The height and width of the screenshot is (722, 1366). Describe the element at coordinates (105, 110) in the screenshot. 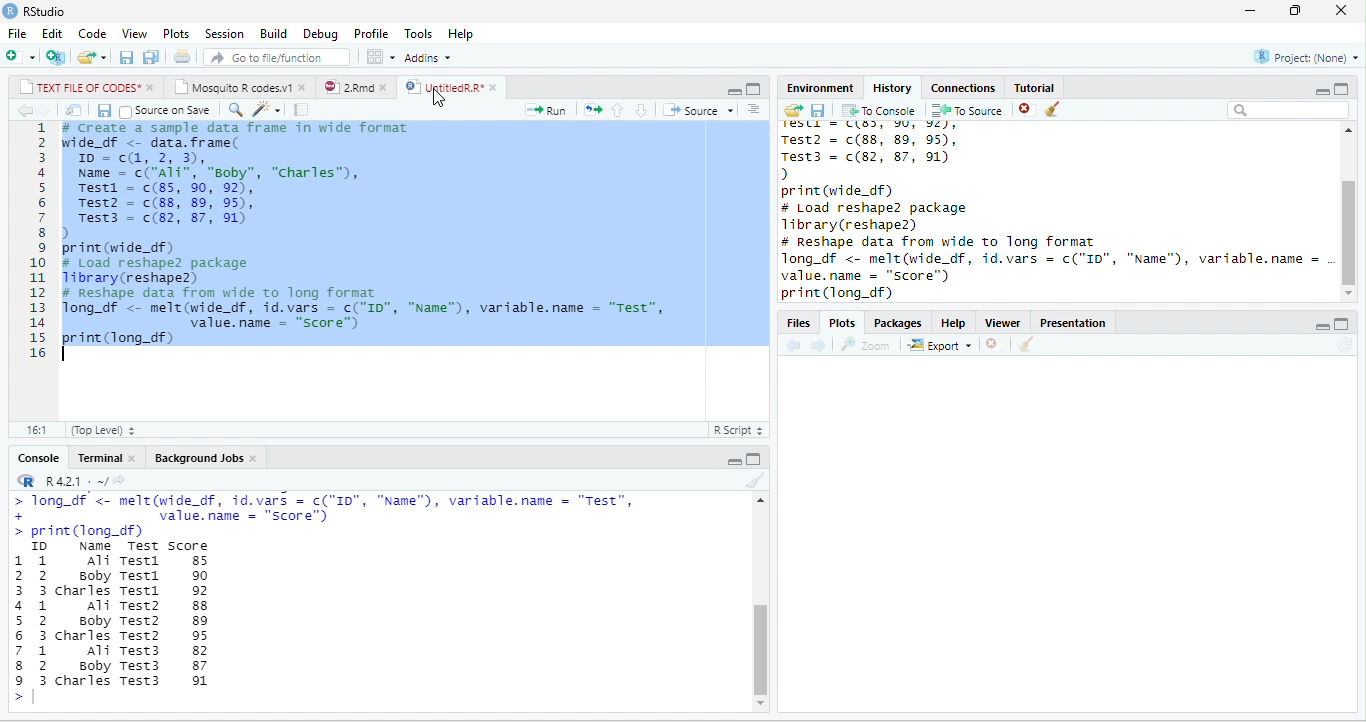

I see `save` at that location.